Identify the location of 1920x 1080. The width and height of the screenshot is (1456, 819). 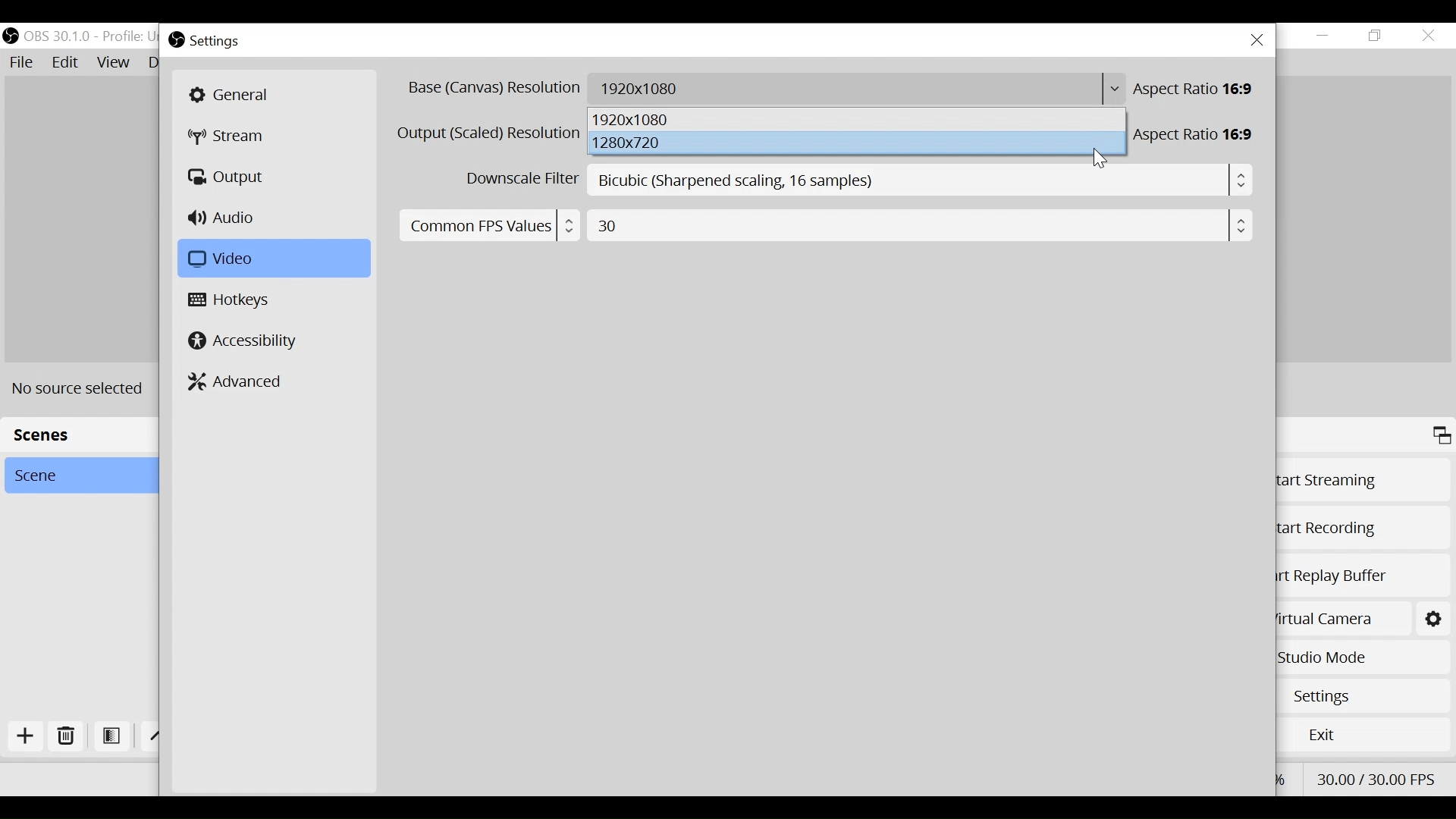
(858, 121).